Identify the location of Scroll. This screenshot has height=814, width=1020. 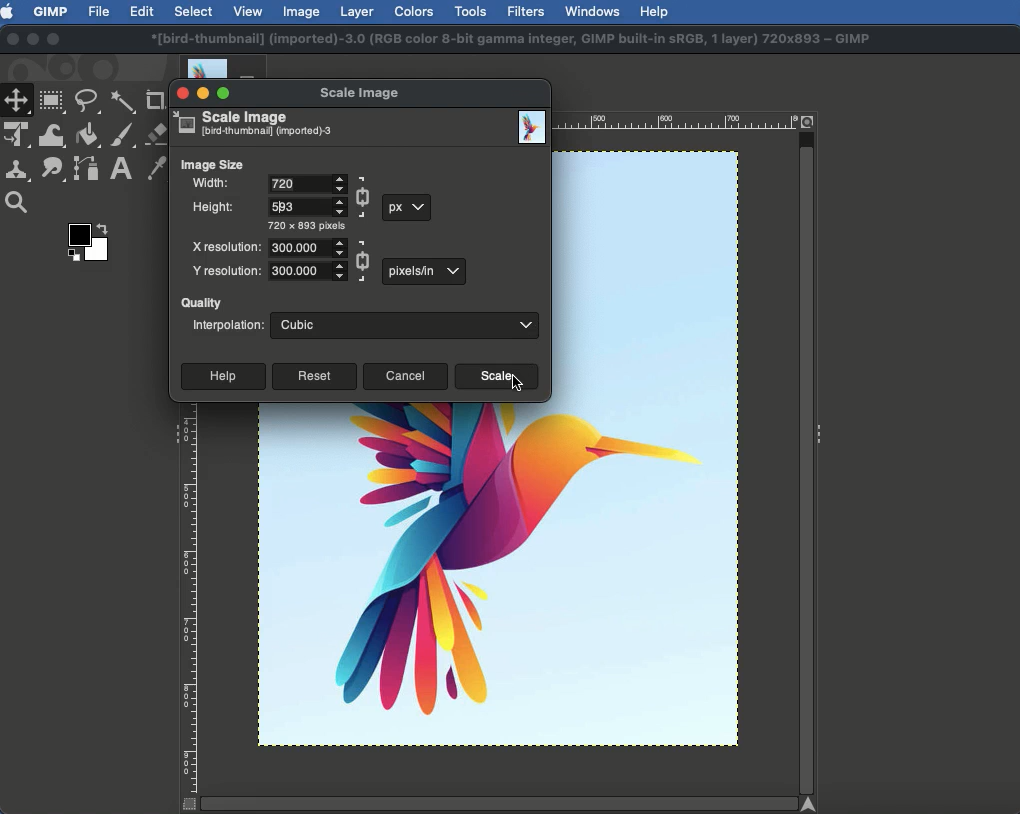
(808, 459).